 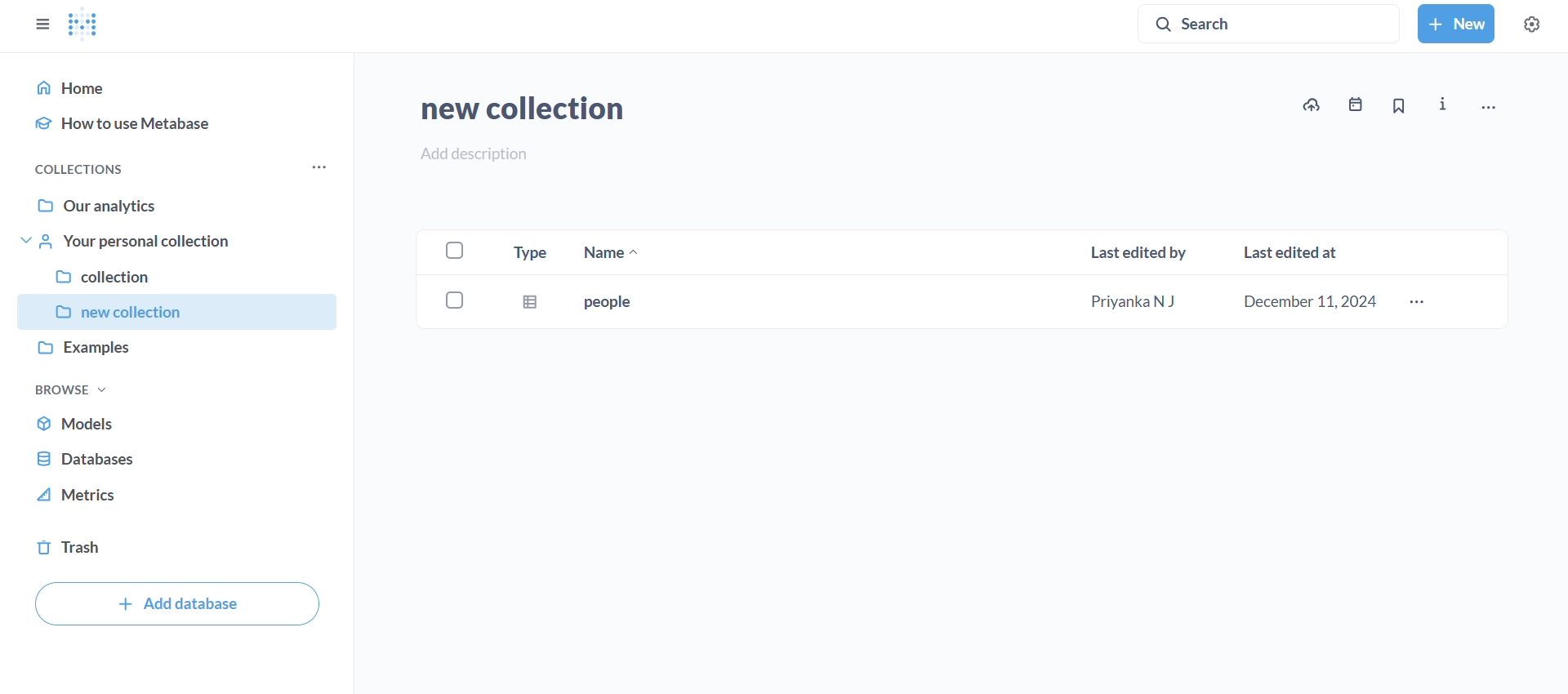 What do you see at coordinates (609, 306) in the screenshot?
I see `people` at bounding box center [609, 306].